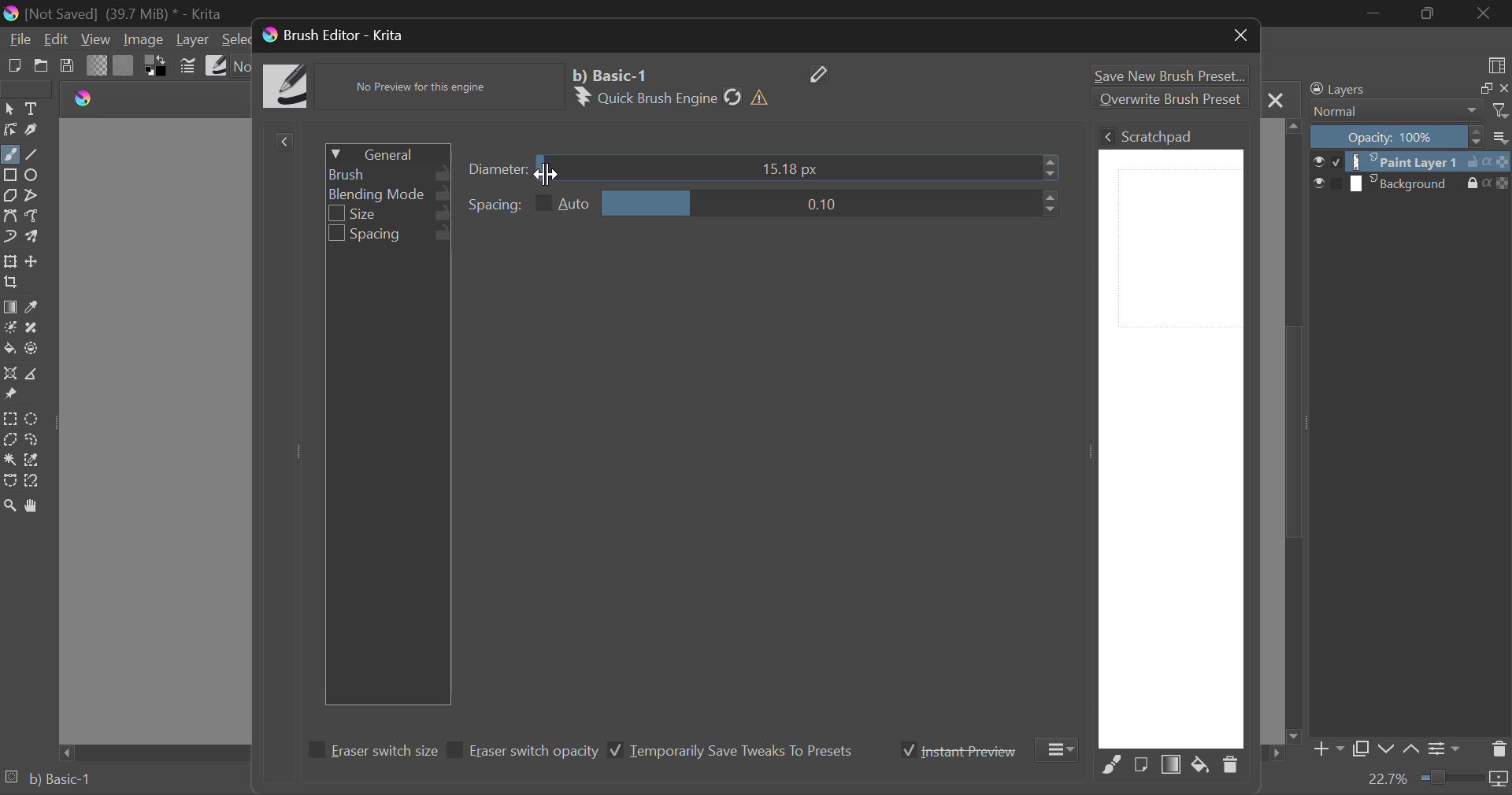  I want to click on Blending Mode, so click(388, 194).